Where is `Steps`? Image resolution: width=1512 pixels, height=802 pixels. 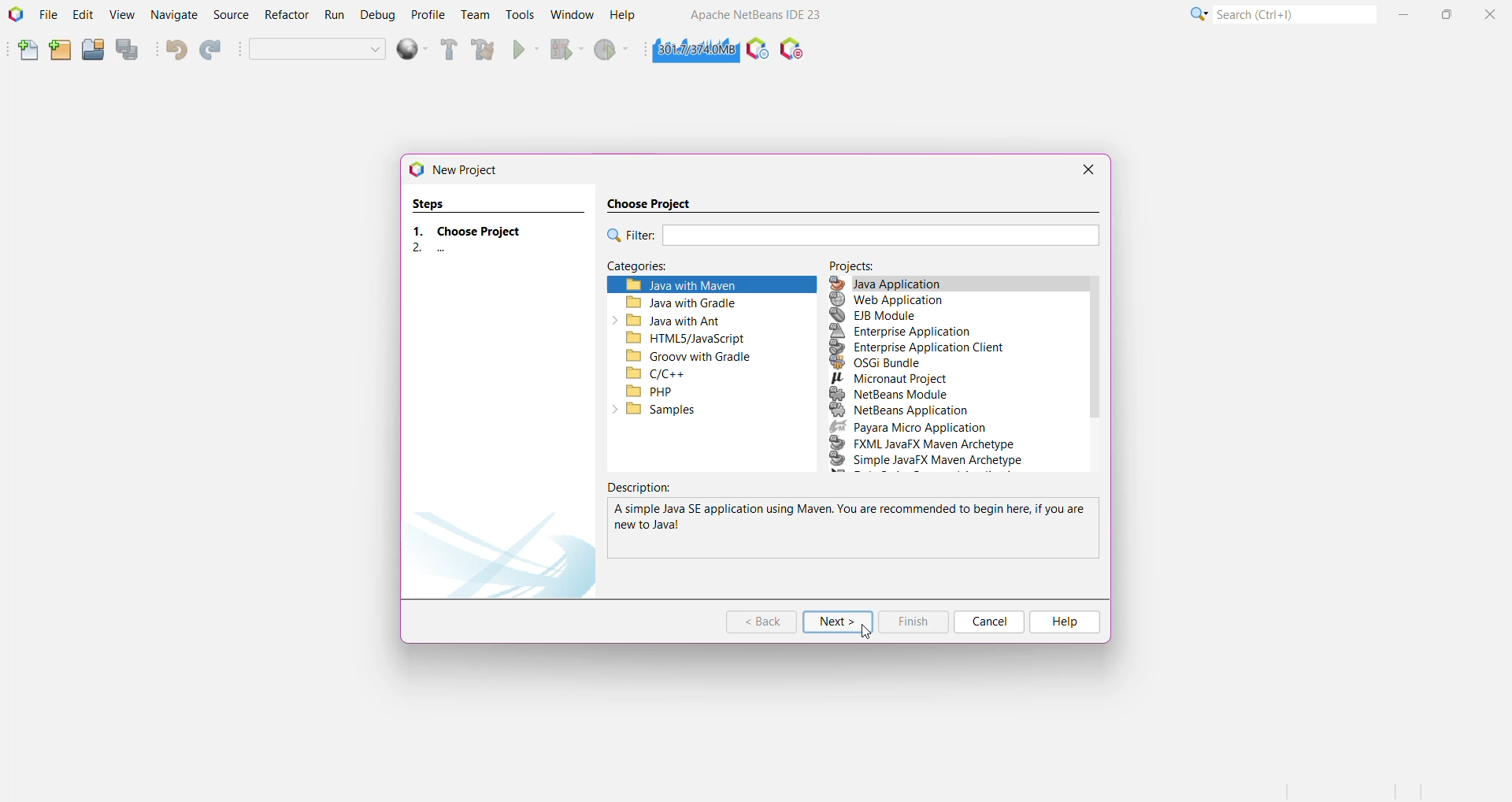 Steps is located at coordinates (432, 202).